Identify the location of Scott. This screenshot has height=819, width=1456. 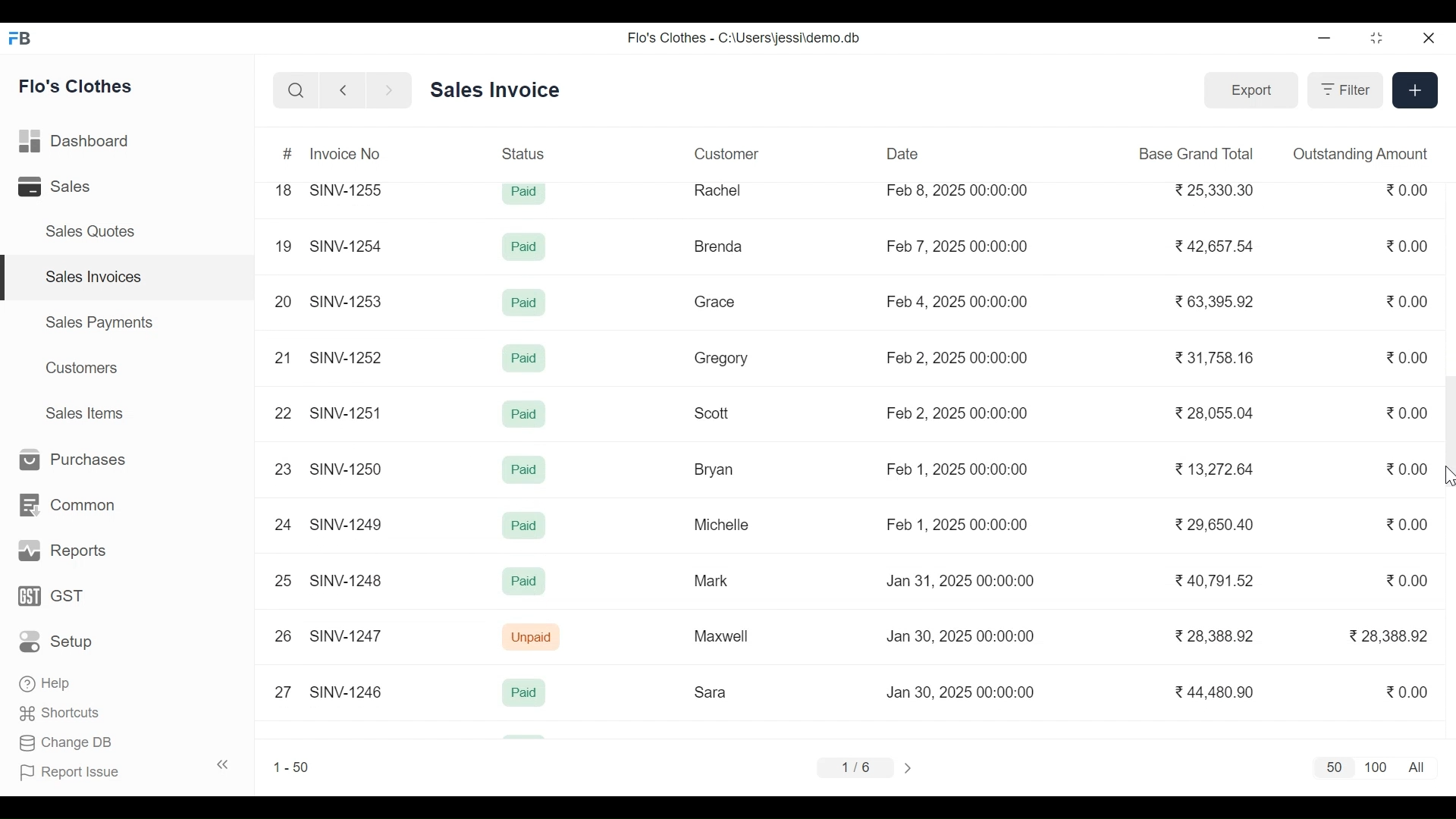
(713, 411).